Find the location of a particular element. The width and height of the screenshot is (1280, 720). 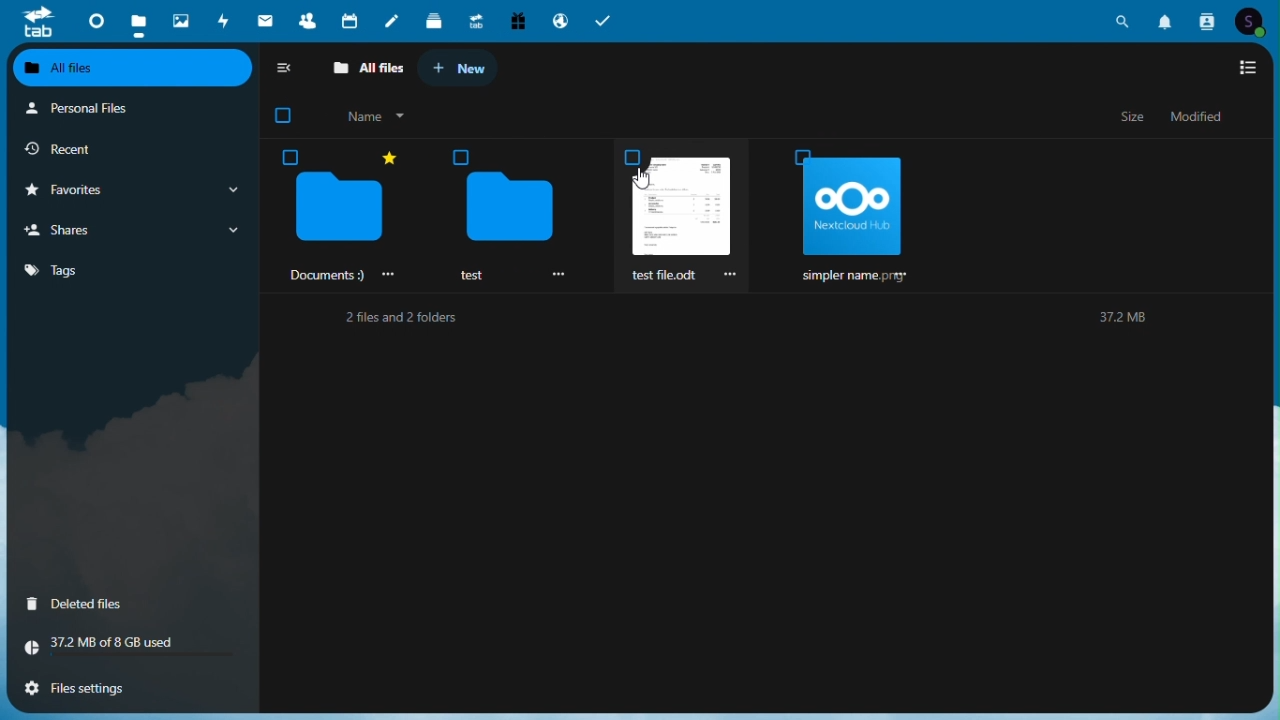

All files is located at coordinates (370, 70).